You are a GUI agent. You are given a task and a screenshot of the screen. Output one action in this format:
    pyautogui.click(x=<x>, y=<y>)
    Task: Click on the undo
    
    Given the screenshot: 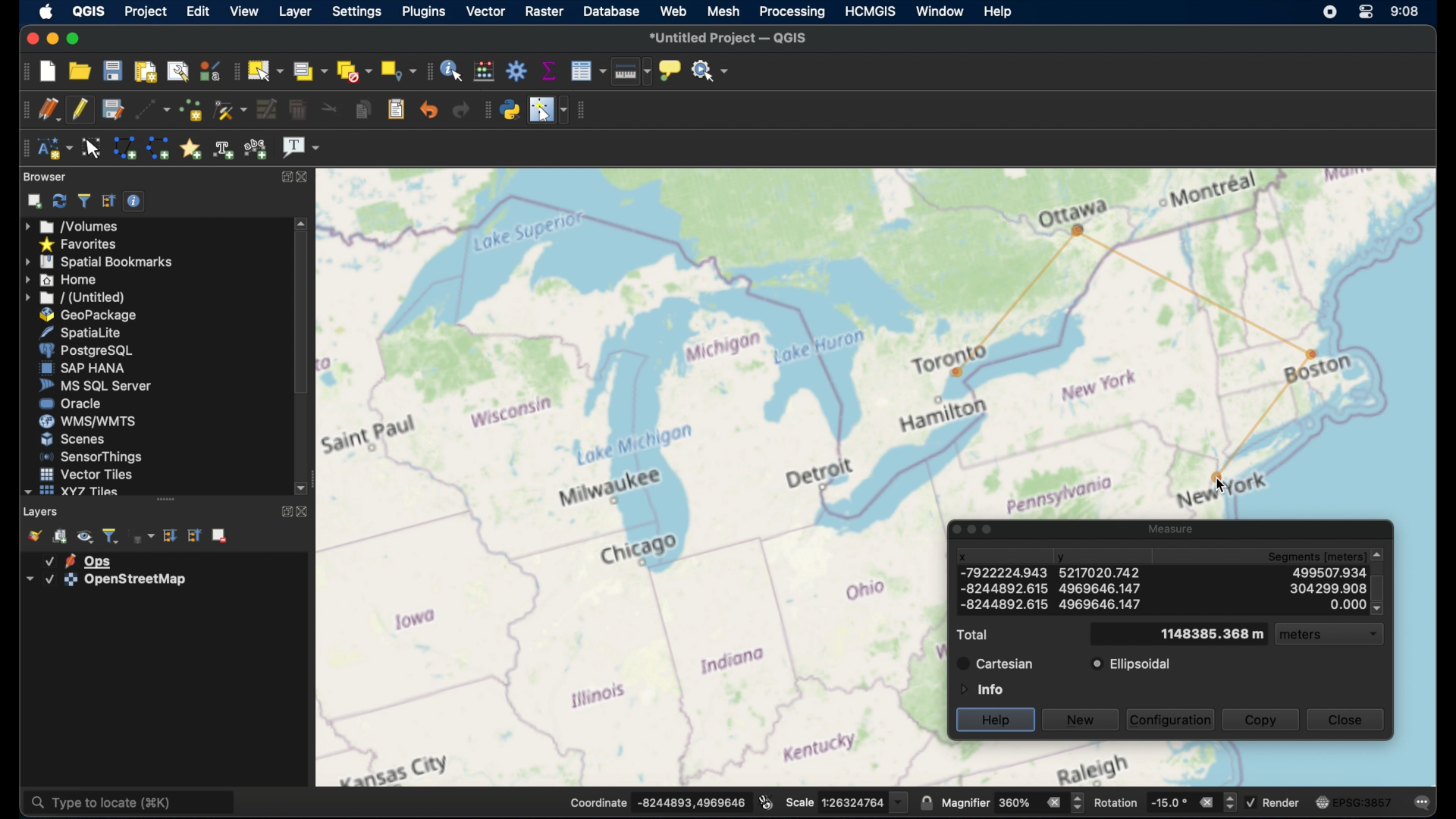 What is the action you would take?
    pyautogui.click(x=429, y=110)
    